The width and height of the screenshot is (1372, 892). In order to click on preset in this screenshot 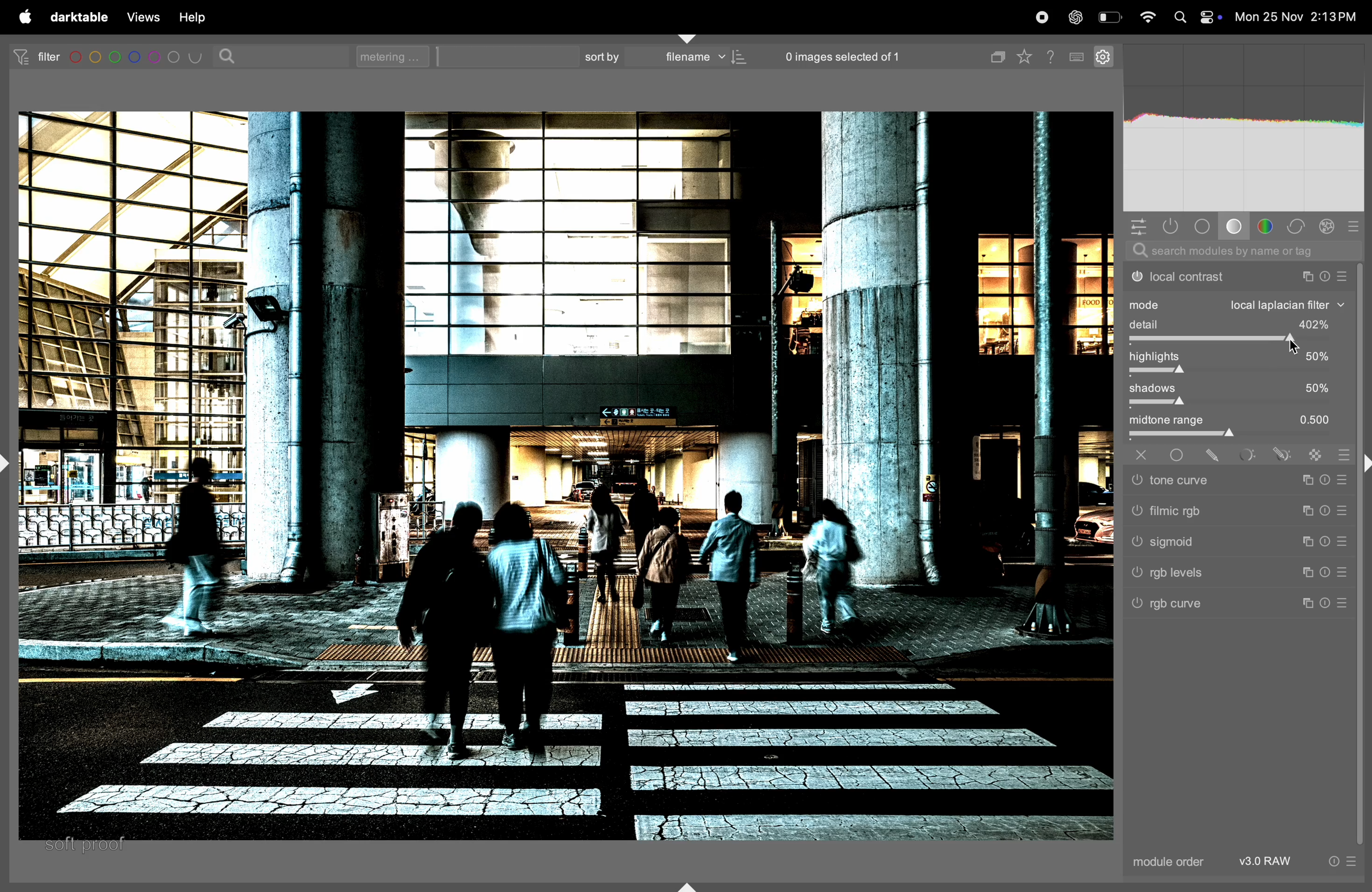, I will do `click(1343, 509)`.